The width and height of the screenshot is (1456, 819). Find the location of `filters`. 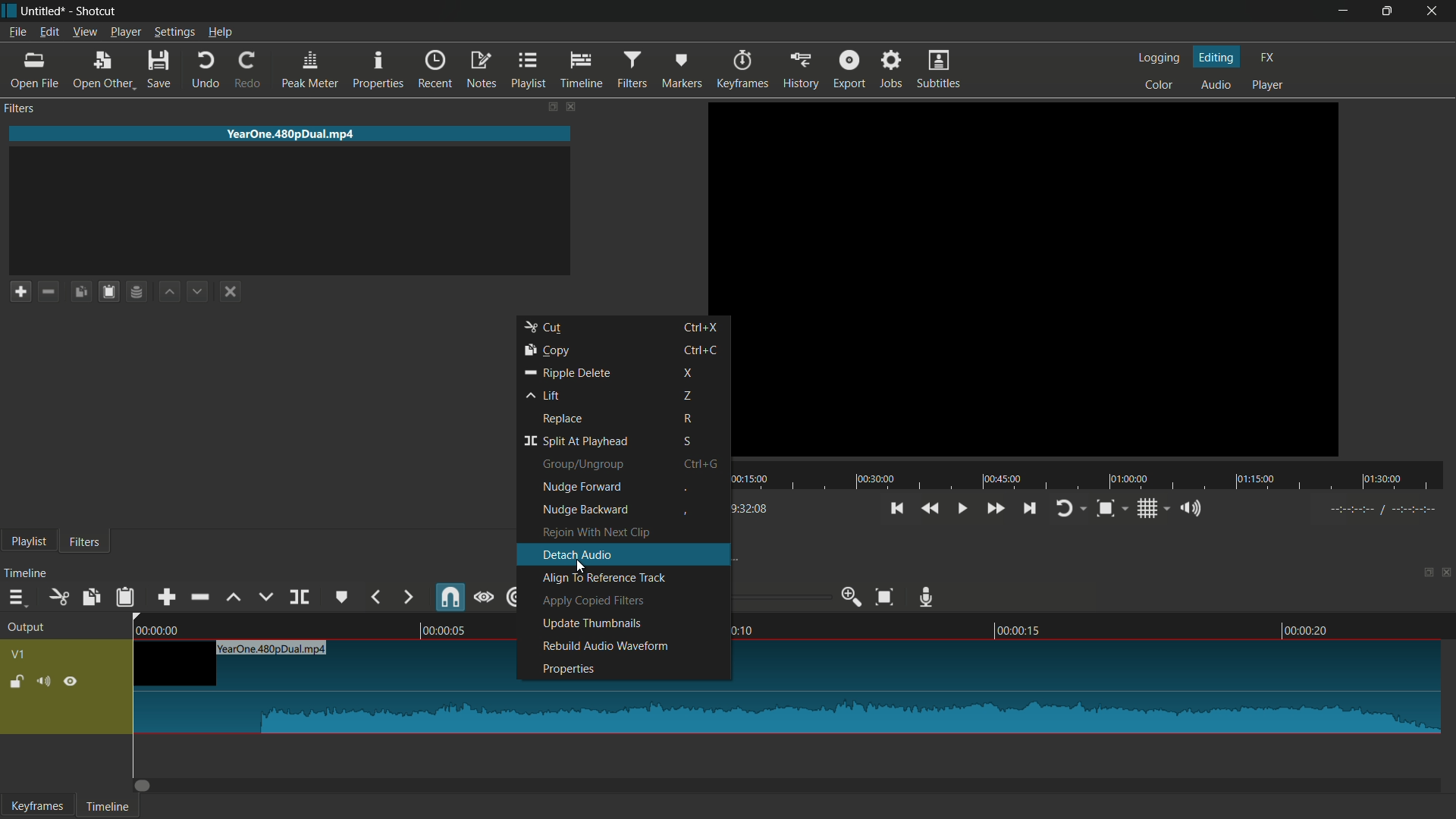

filters is located at coordinates (86, 541).